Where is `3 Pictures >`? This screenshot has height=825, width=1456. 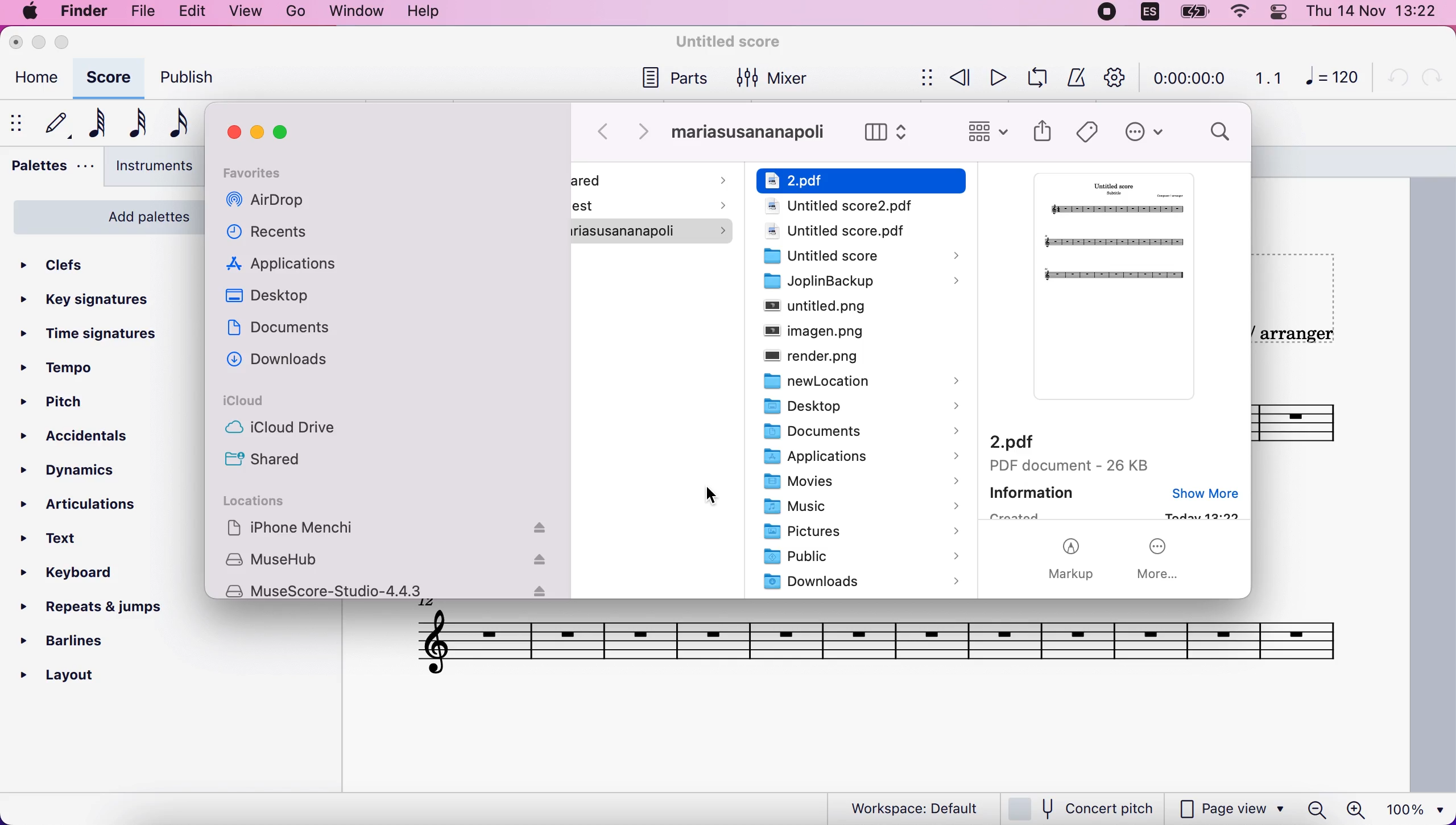
3 Pictures > is located at coordinates (859, 533).